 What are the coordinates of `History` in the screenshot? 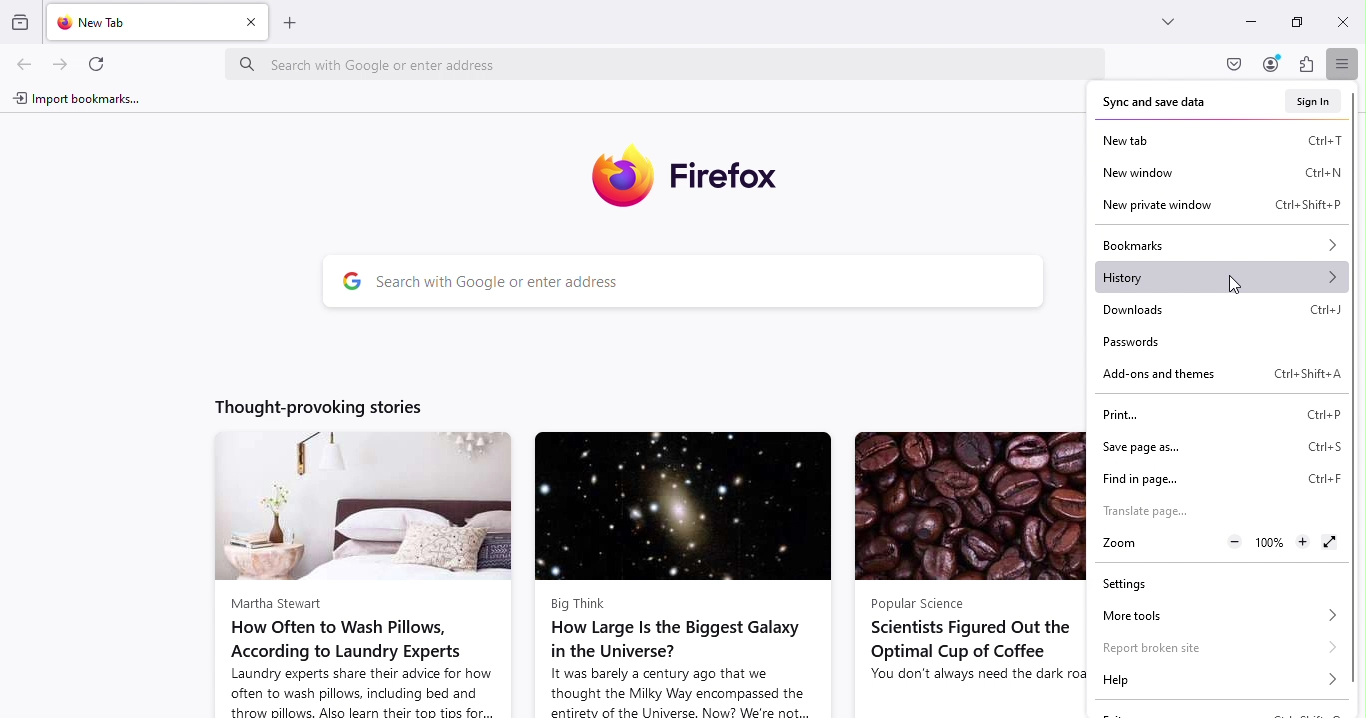 It's located at (1221, 278).